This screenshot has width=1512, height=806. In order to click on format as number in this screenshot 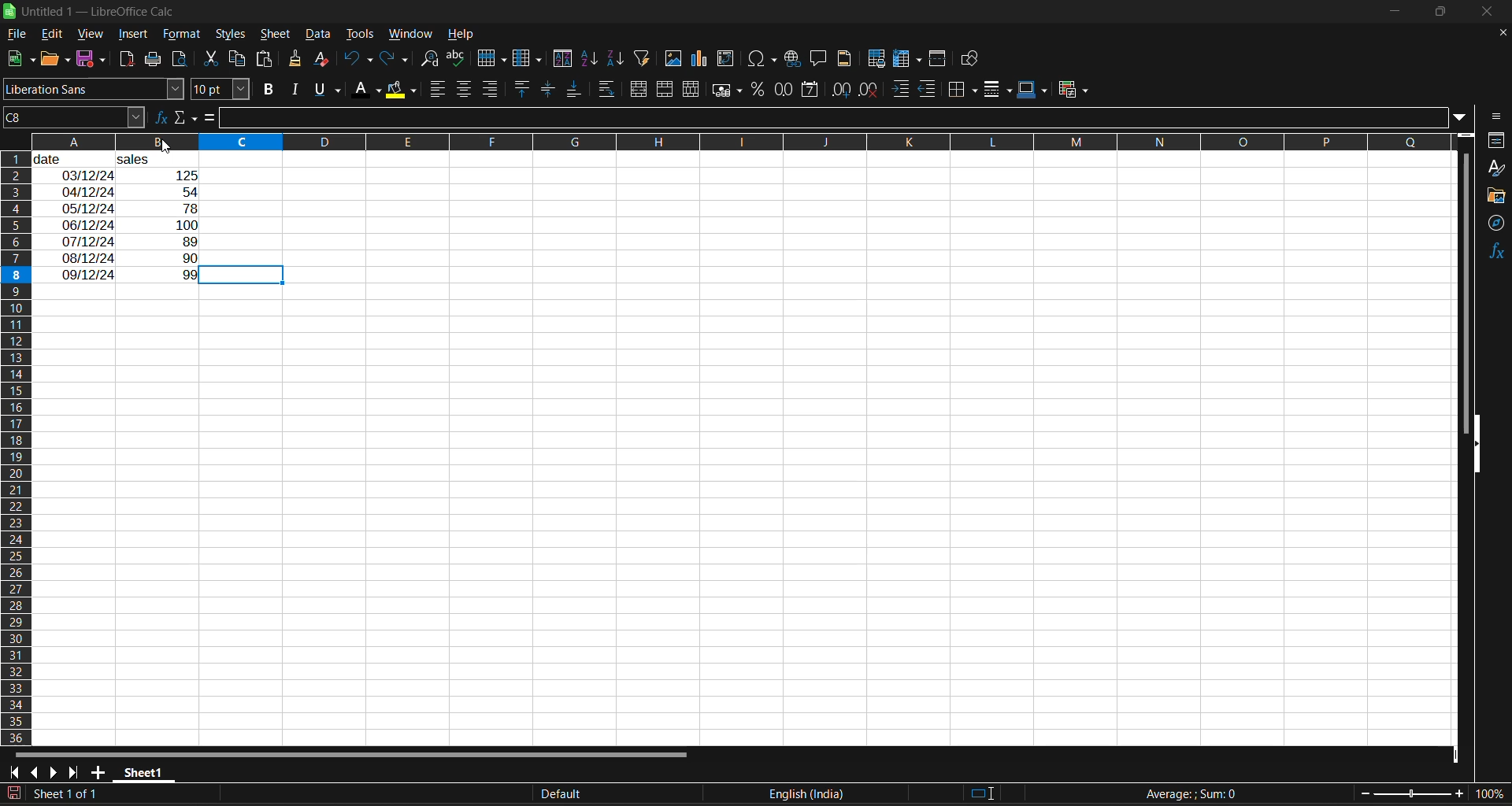, I will do `click(784, 91)`.